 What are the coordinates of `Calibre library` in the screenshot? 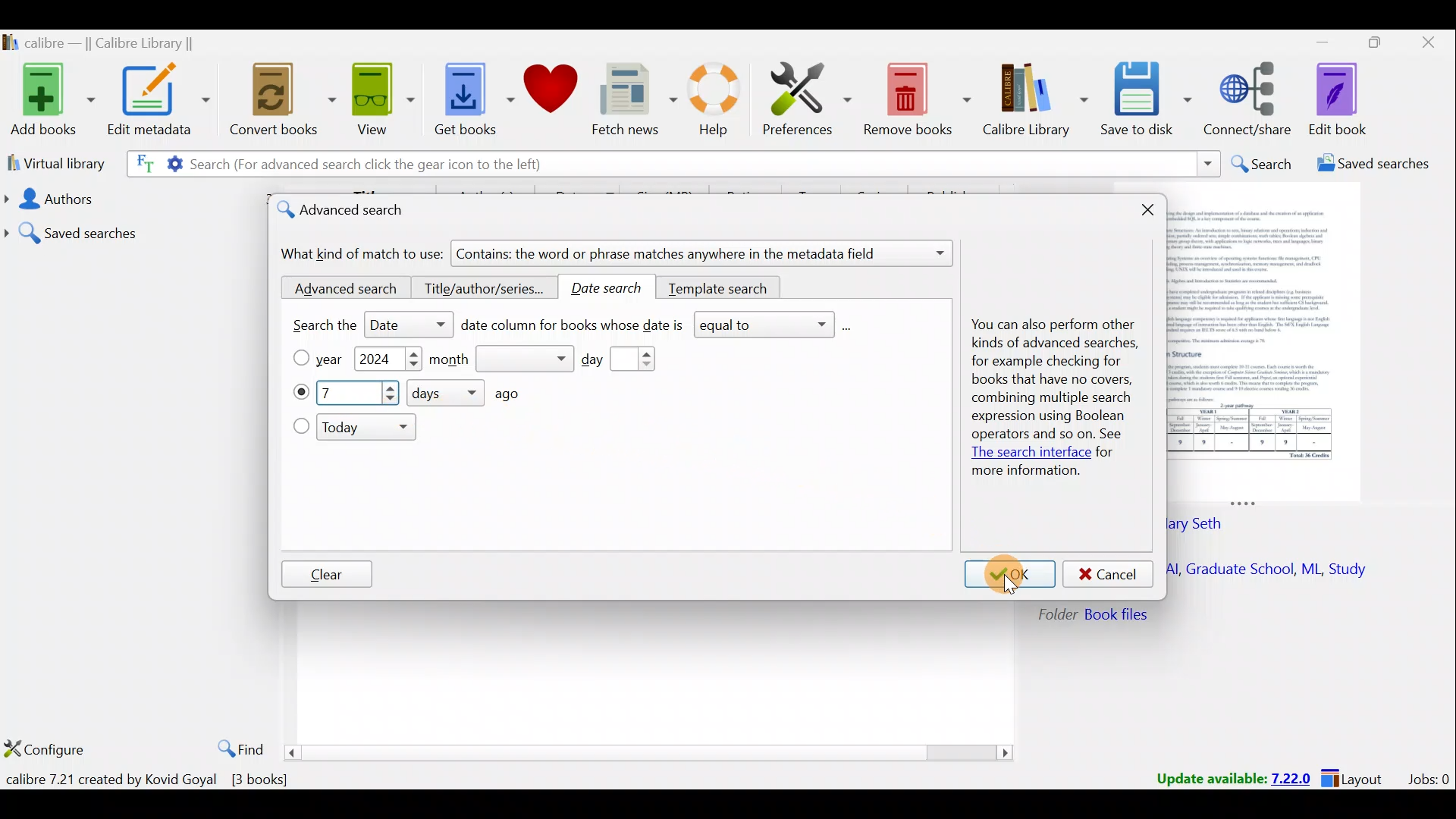 It's located at (1037, 101).